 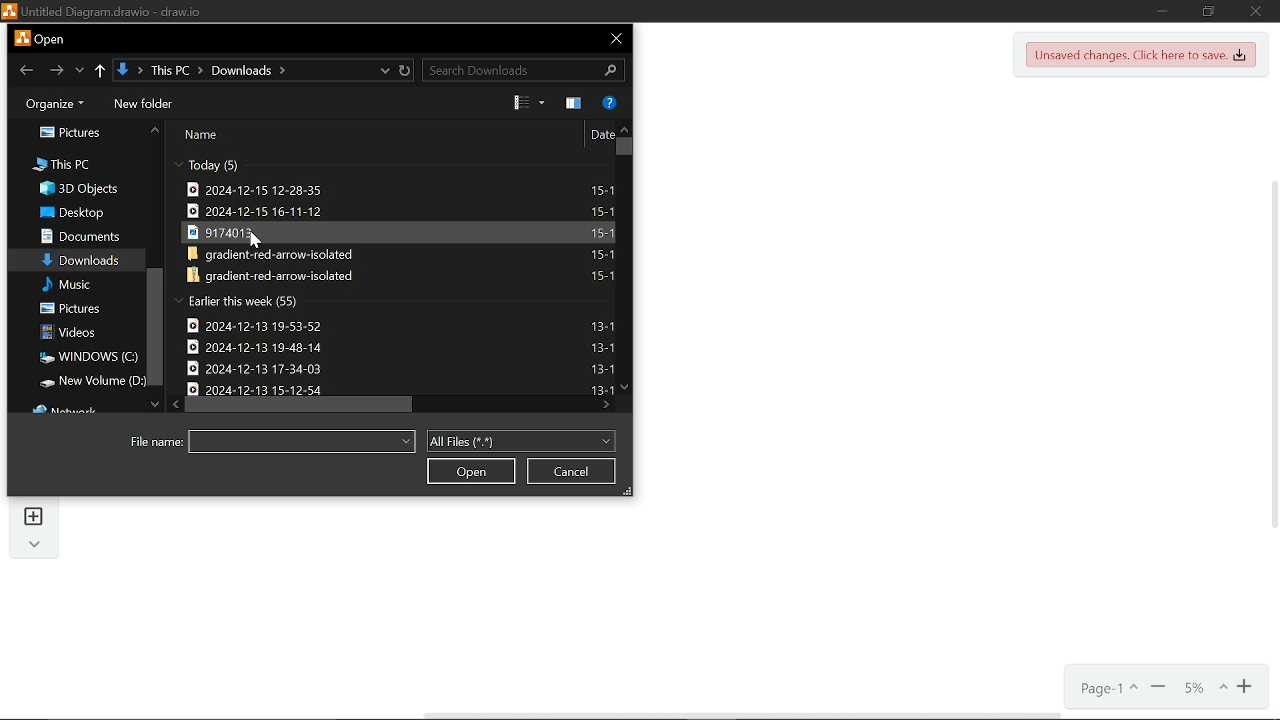 What do you see at coordinates (83, 237) in the screenshot?
I see `documents` at bounding box center [83, 237].